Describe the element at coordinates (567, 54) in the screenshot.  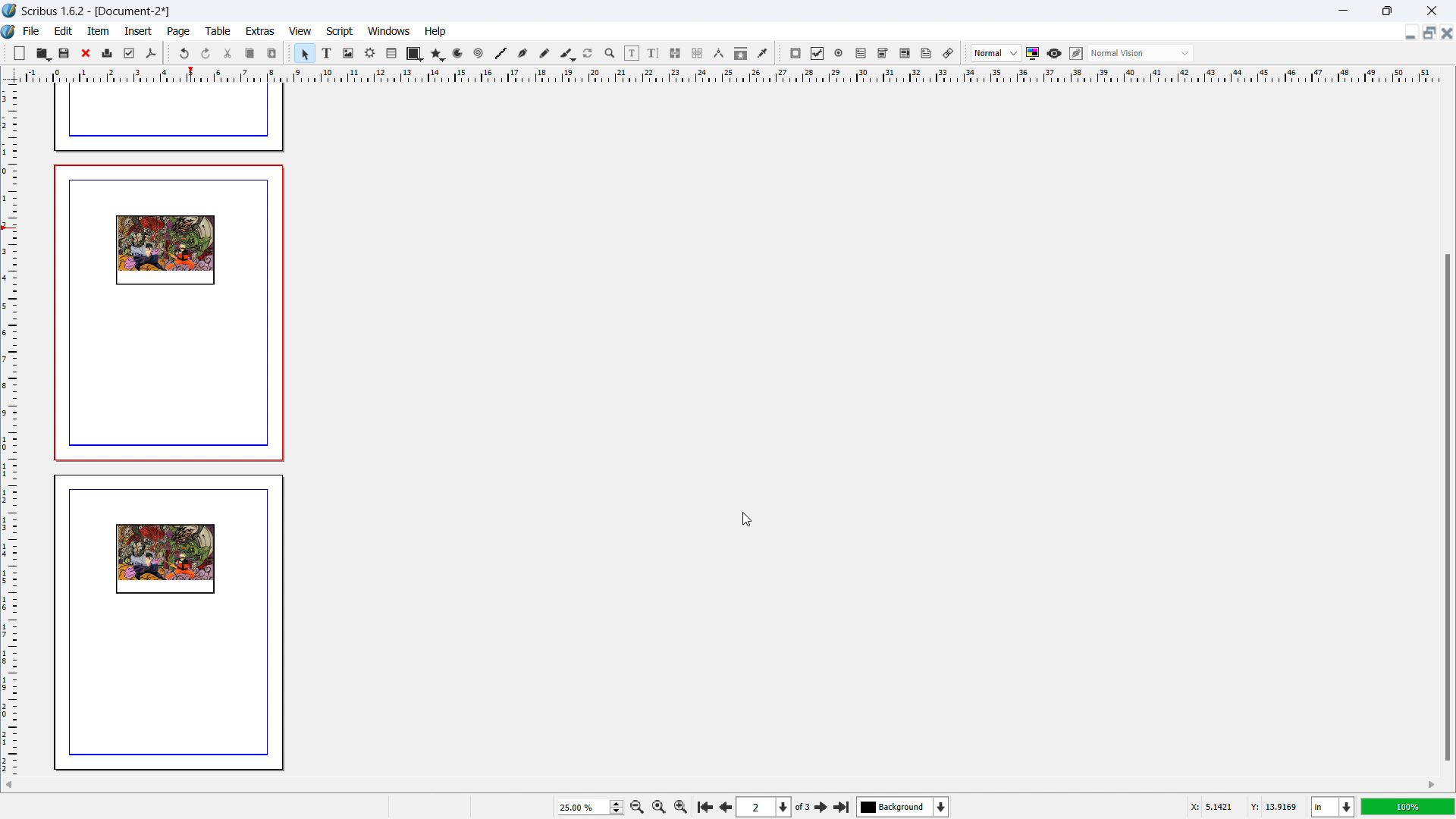
I see `caligraphic line` at that location.